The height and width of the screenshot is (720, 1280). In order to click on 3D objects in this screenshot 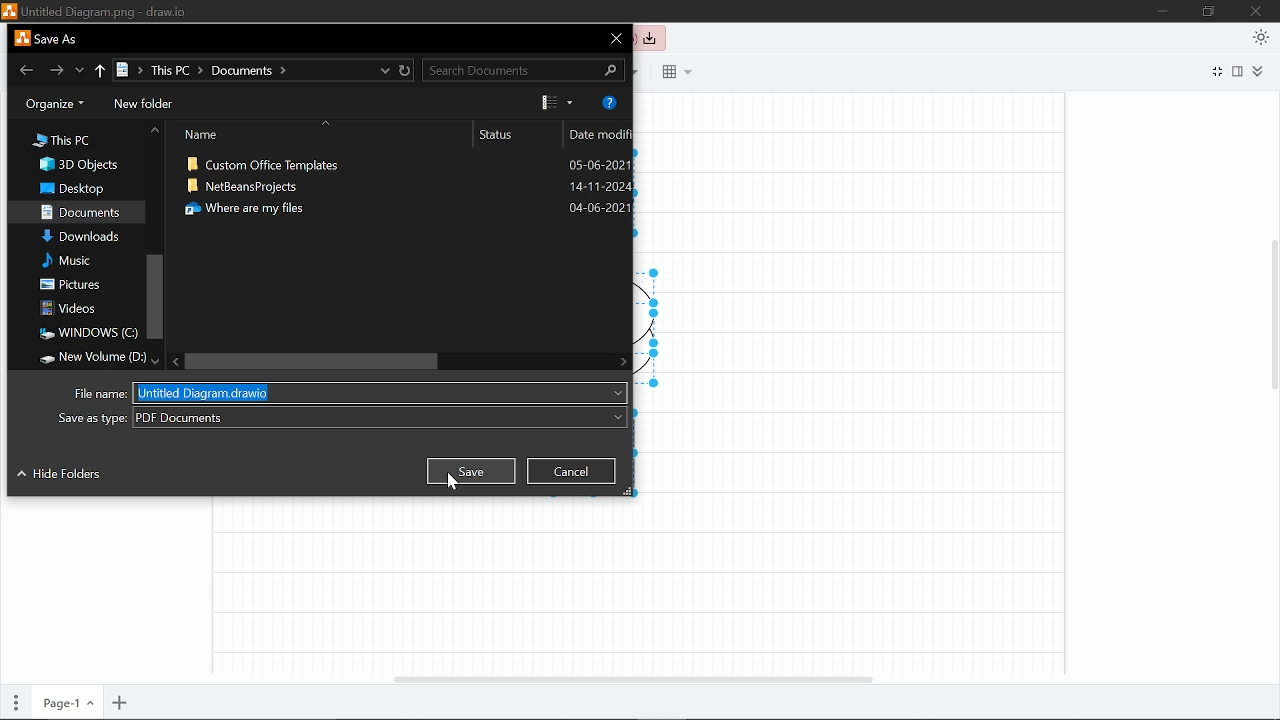, I will do `click(85, 166)`.